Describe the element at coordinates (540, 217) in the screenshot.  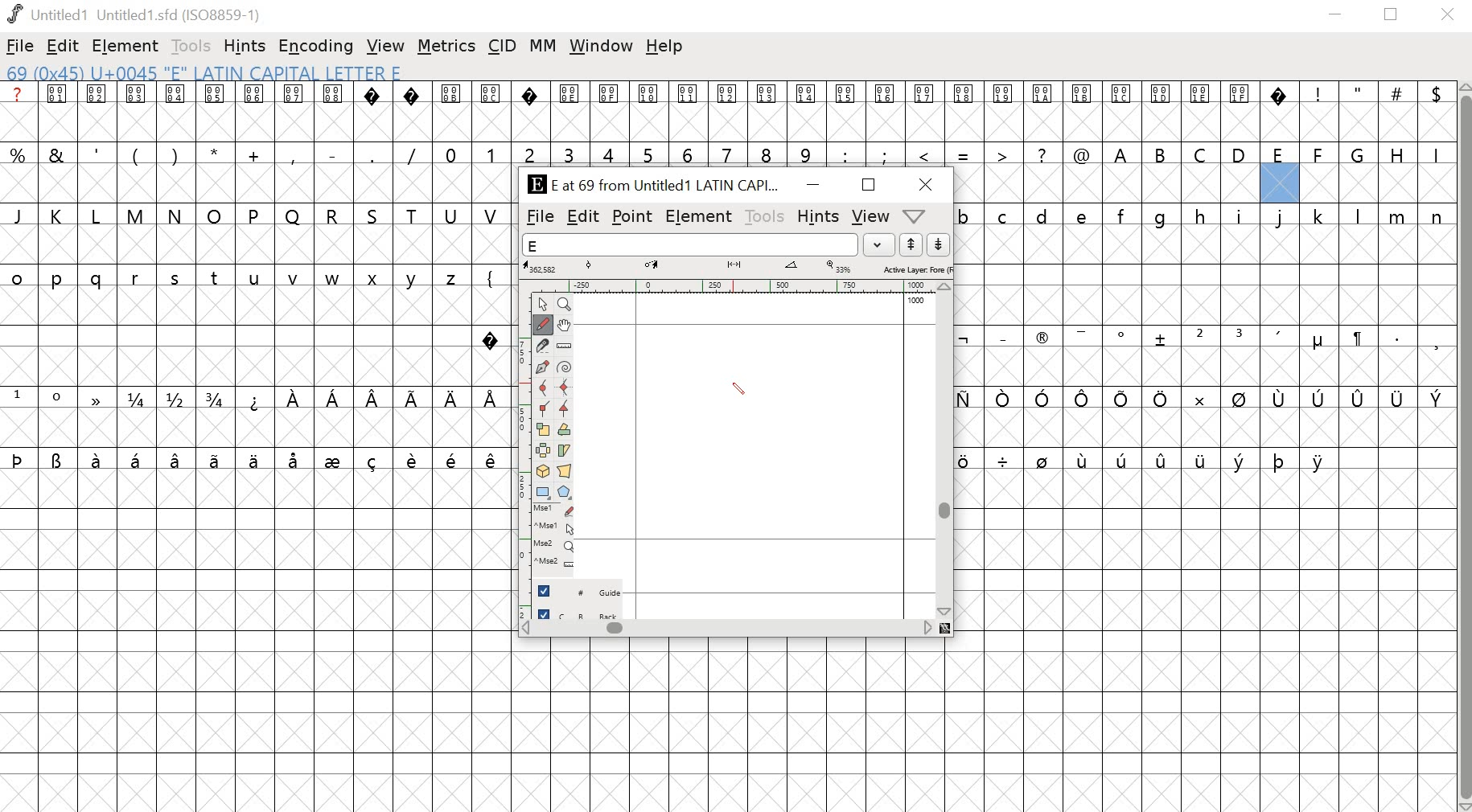
I see `file` at that location.